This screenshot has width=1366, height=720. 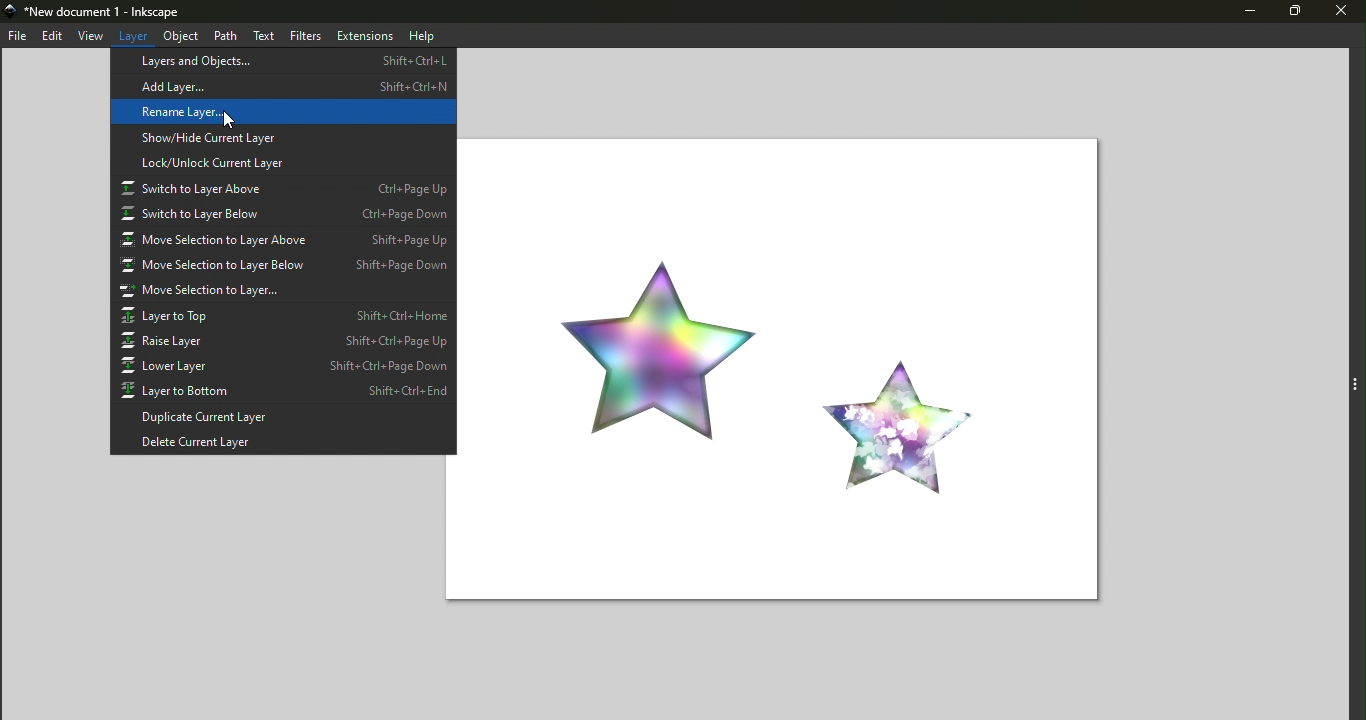 What do you see at coordinates (284, 60) in the screenshot?
I see `Layers and objects` at bounding box center [284, 60].